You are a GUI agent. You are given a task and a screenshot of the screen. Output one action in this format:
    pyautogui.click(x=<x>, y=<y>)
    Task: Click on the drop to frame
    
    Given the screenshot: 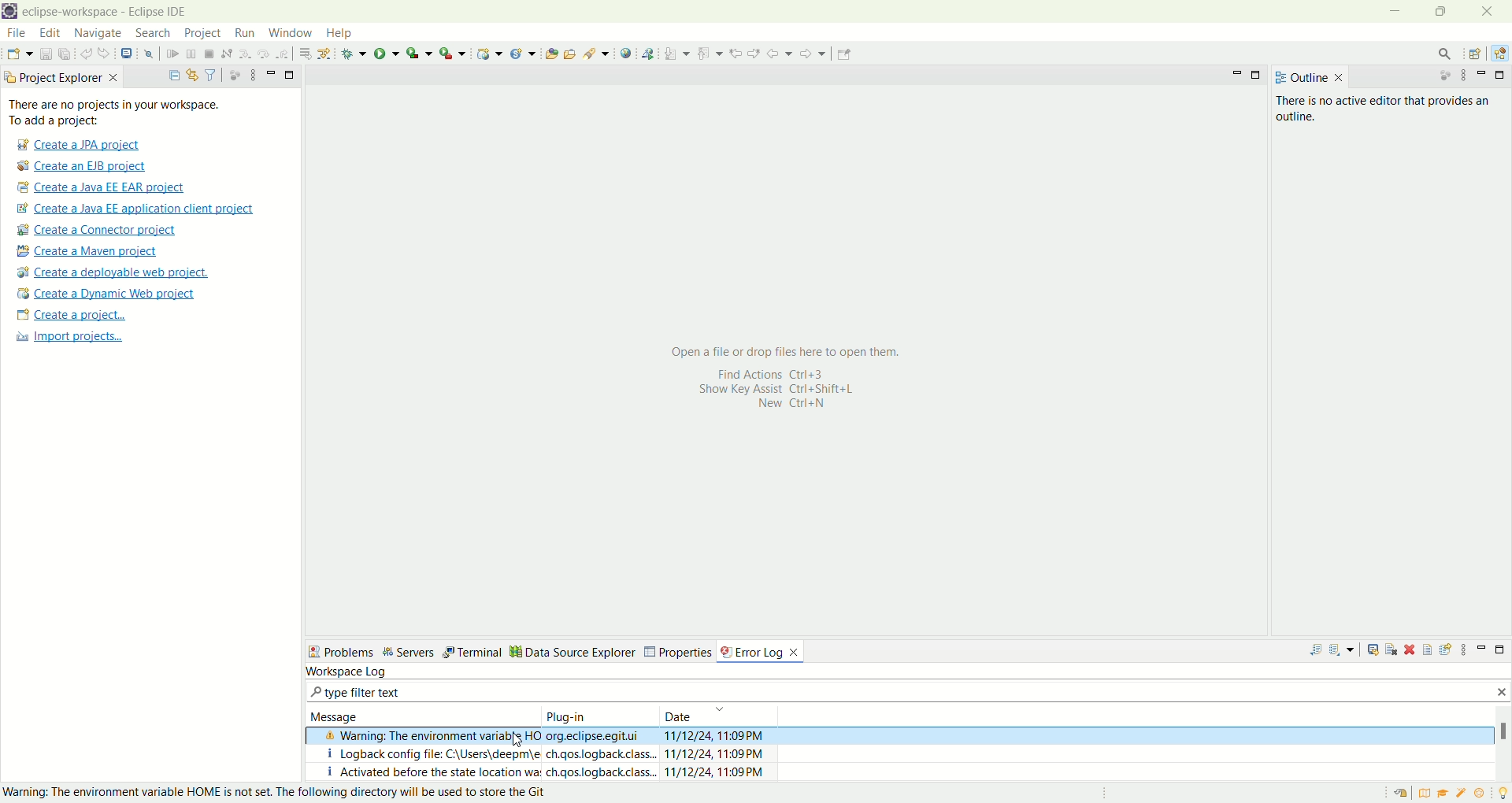 What is the action you would take?
    pyautogui.click(x=302, y=54)
    